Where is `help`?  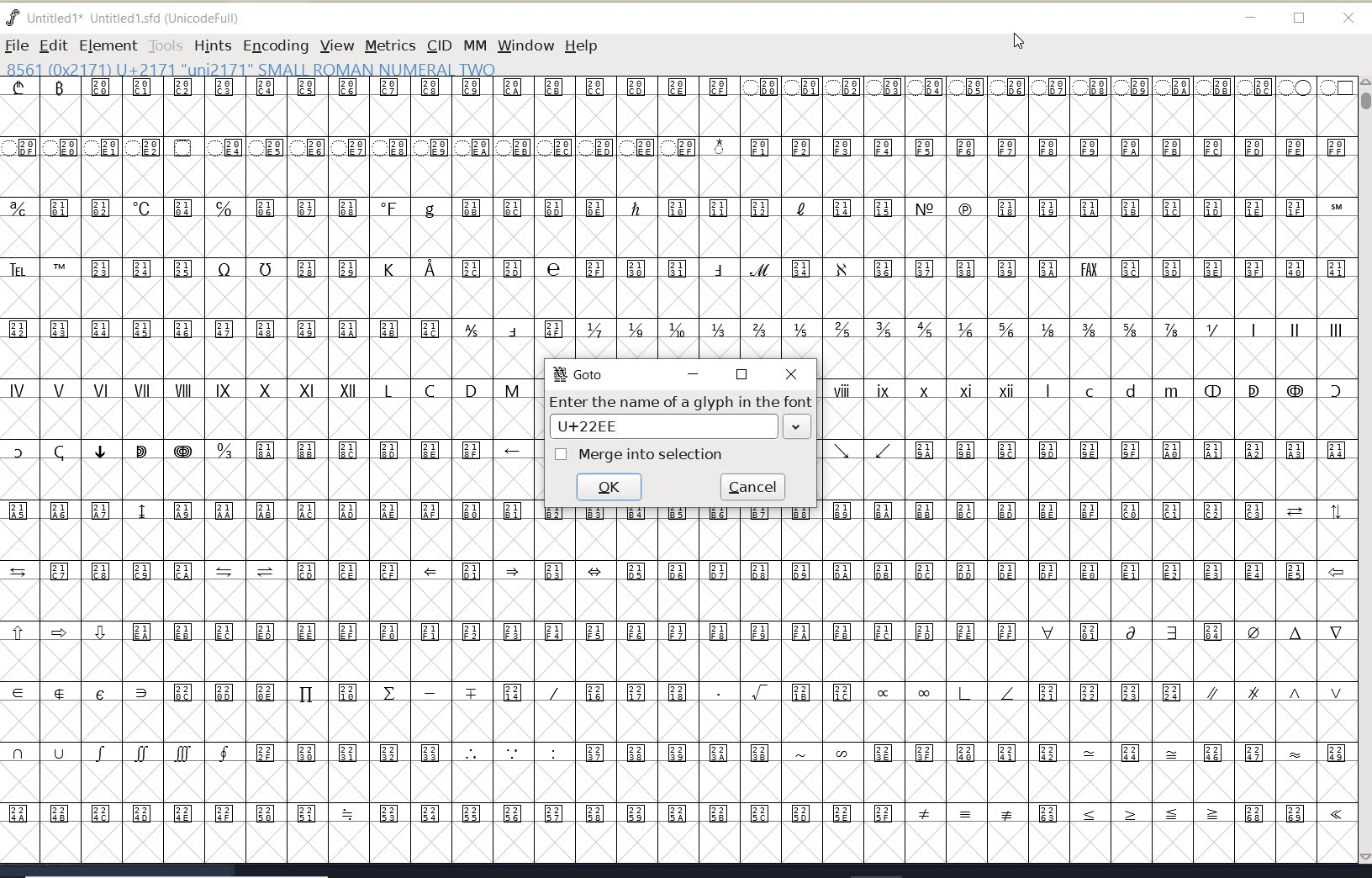 help is located at coordinates (584, 47).